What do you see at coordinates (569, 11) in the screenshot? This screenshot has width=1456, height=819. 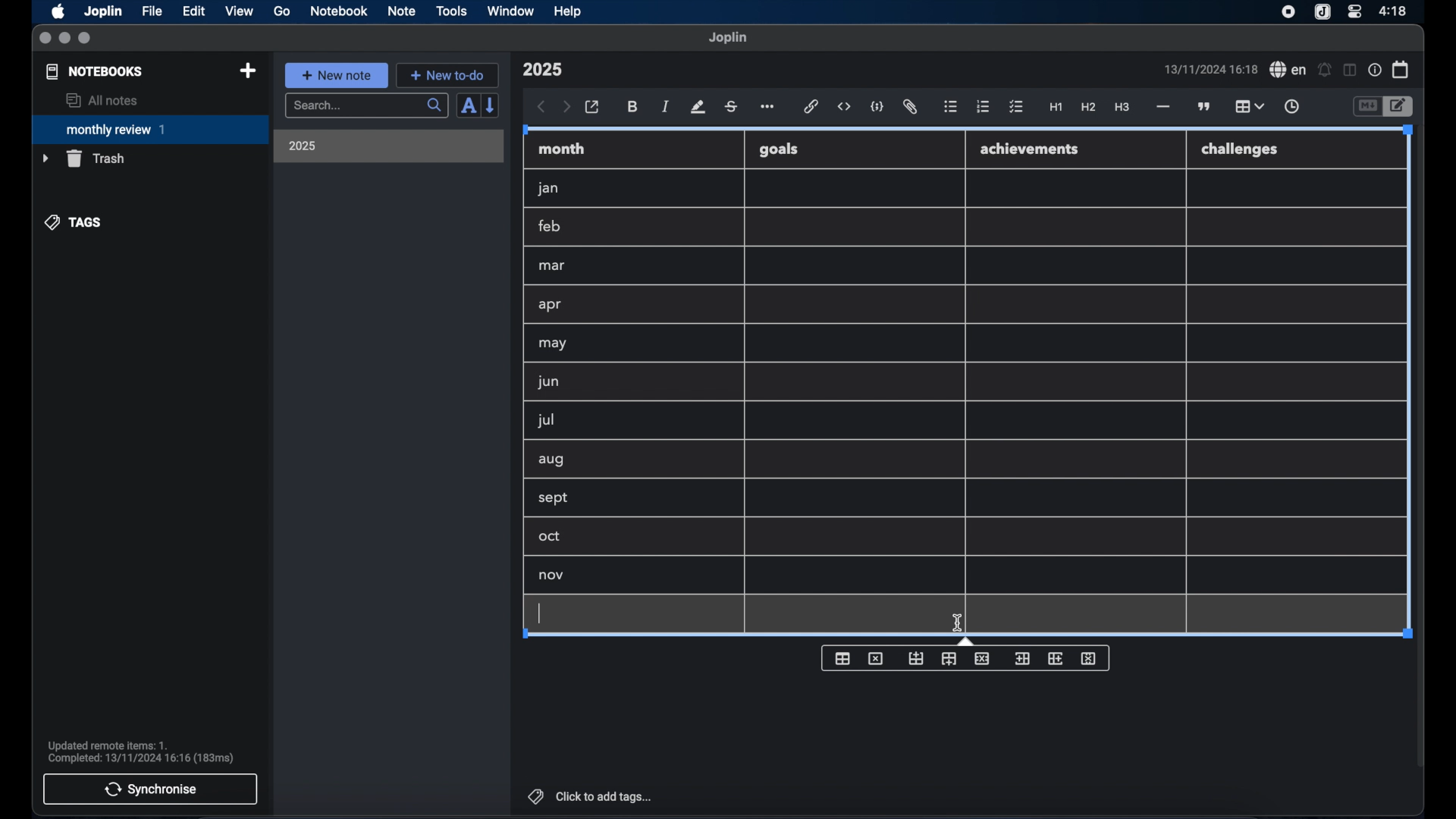 I see `help` at bounding box center [569, 11].